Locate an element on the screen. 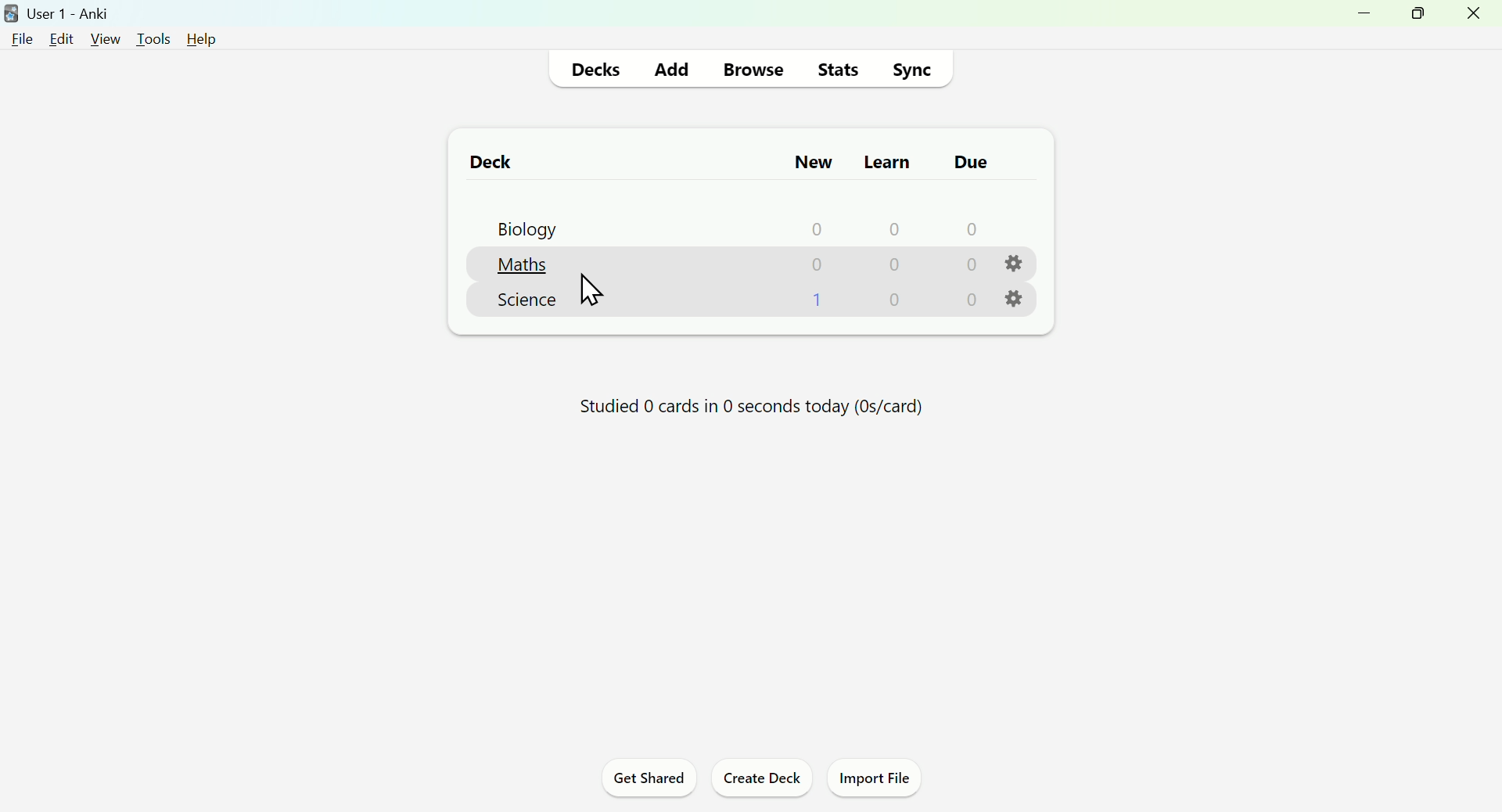  User 1 - Anki is located at coordinates (61, 12).